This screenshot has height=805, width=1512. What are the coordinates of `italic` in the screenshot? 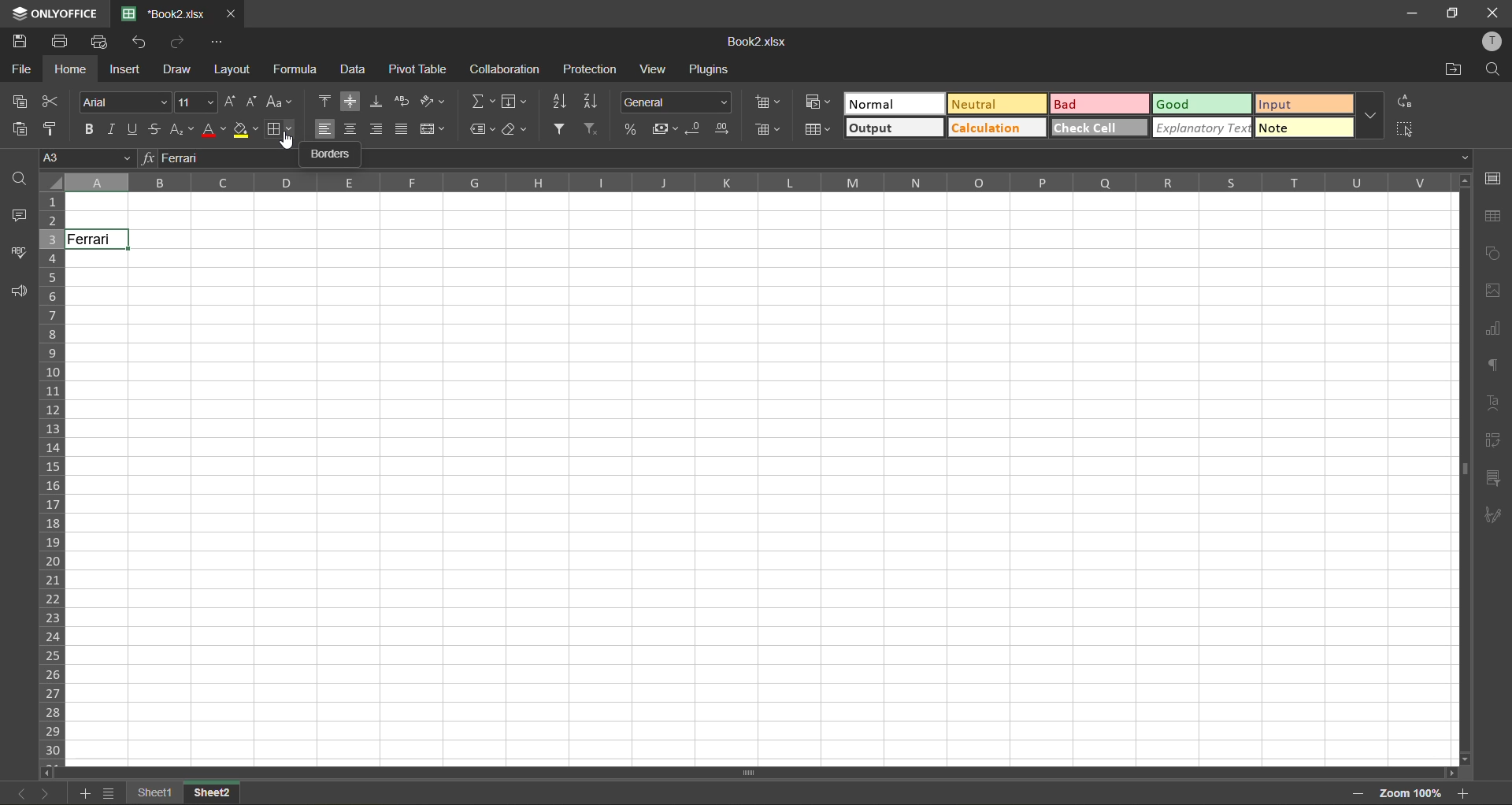 It's located at (114, 129).